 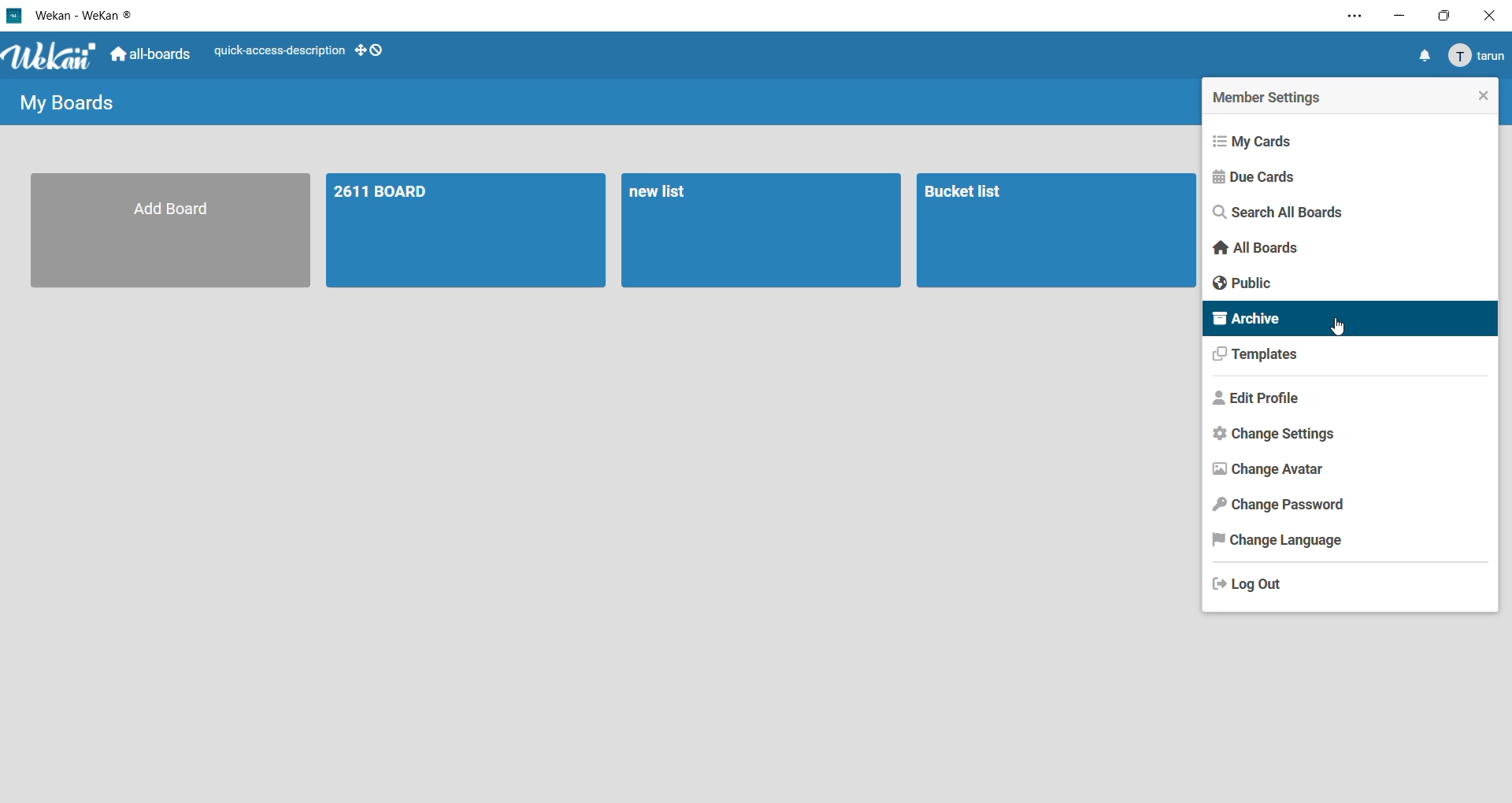 I want to click on 2611 board, so click(x=466, y=228).